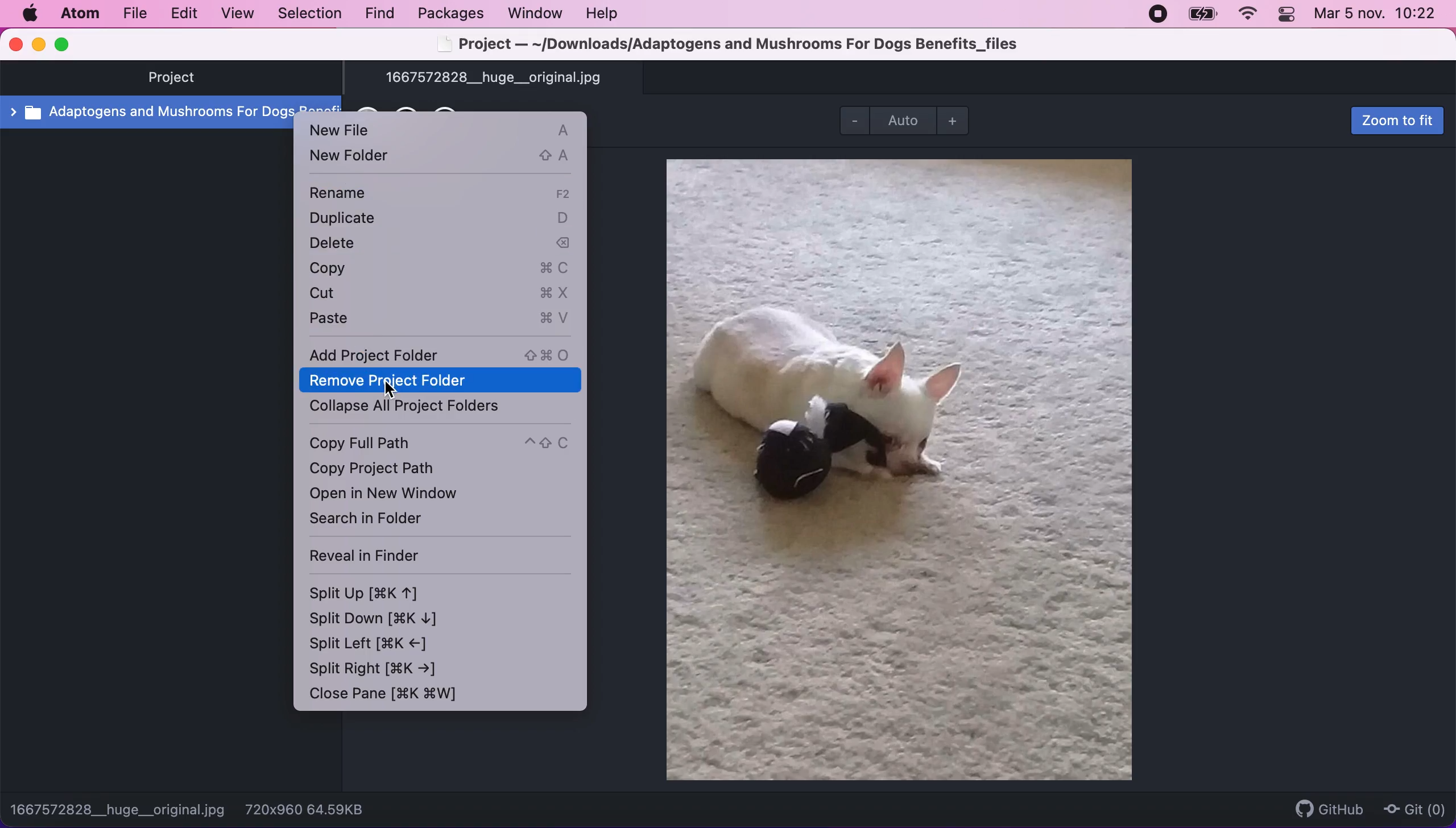  I want to click on zoom out, so click(853, 123).